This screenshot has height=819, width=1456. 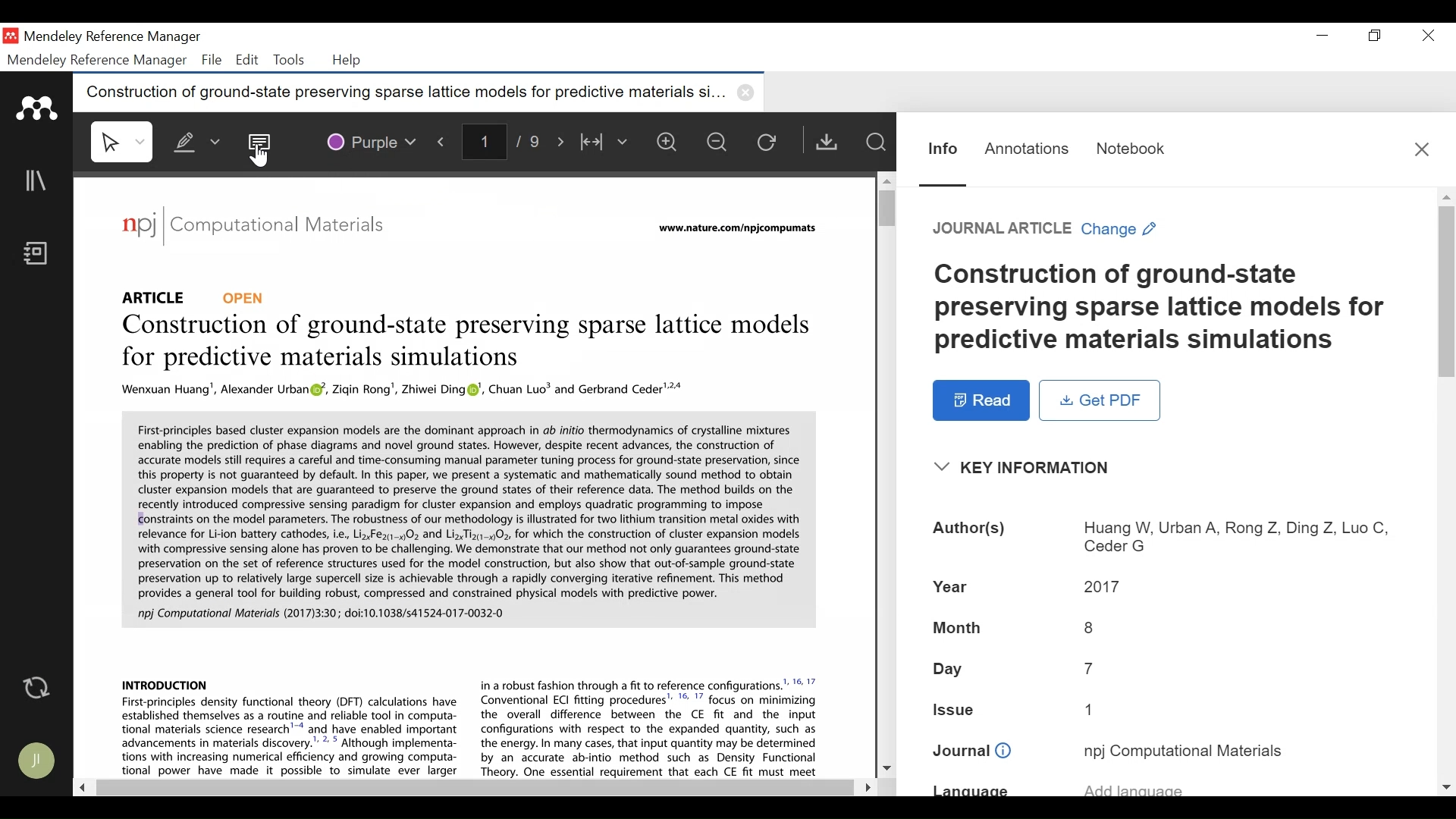 I want to click on Show/Hide Key Information, so click(x=1028, y=468).